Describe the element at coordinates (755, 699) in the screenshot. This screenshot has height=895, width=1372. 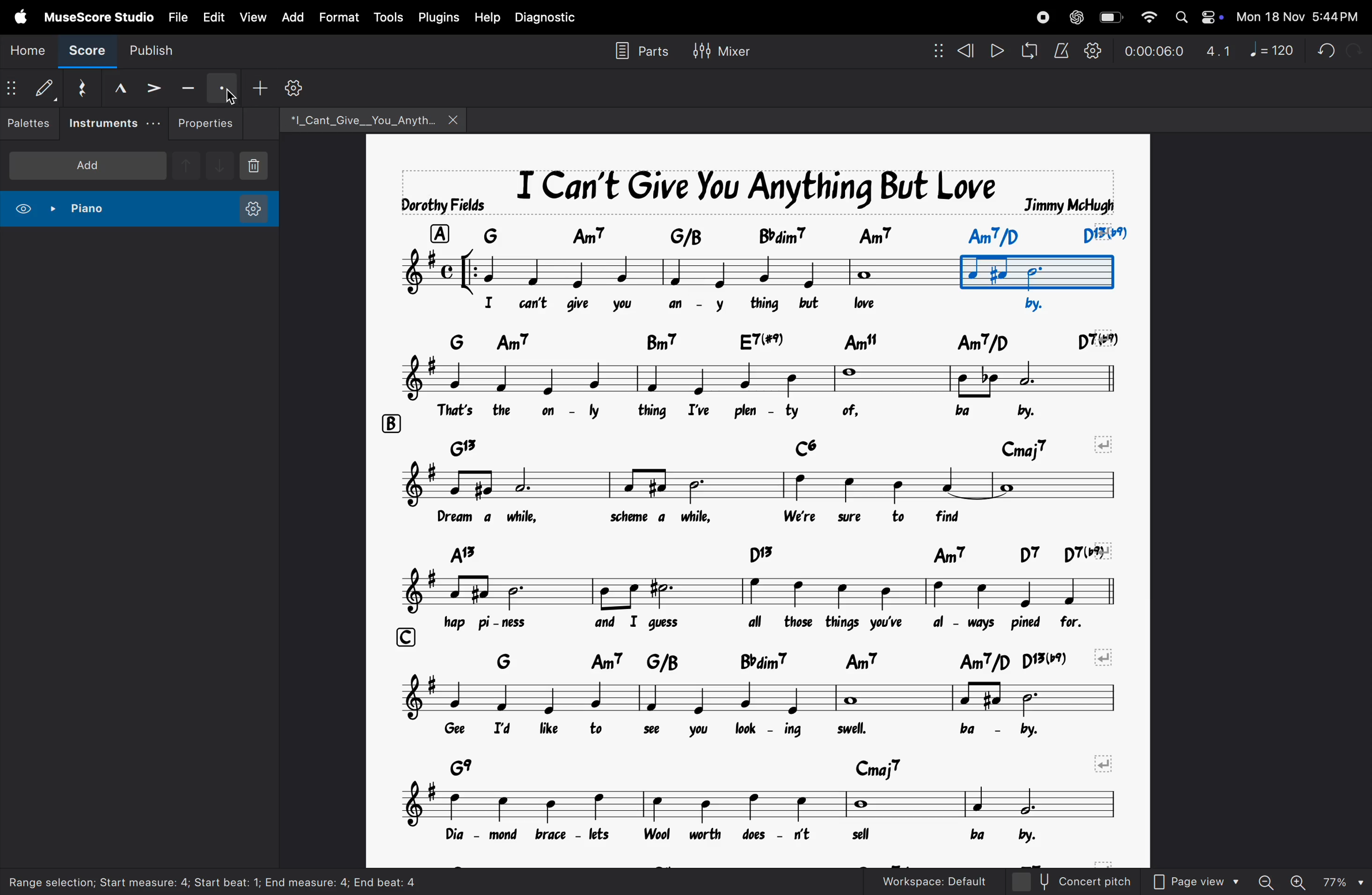
I see `notes` at that location.